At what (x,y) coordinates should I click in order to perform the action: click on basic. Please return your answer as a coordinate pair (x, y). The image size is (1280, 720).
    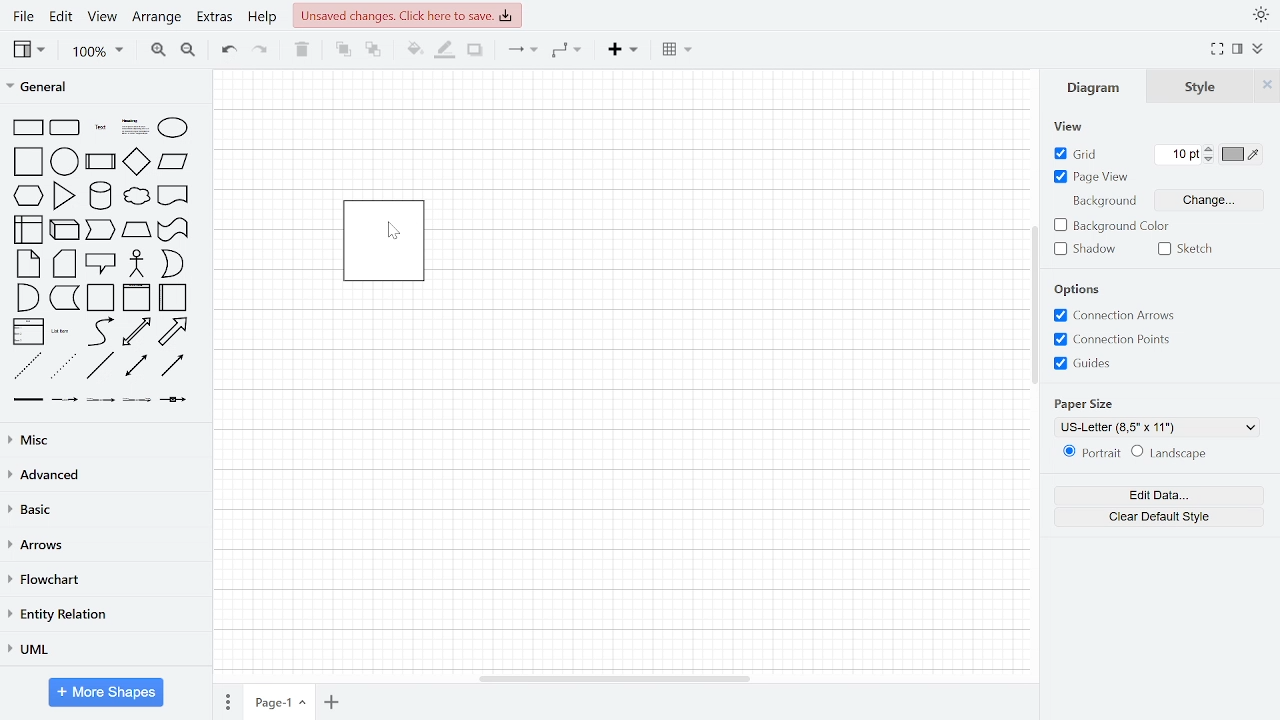
    Looking at the image, I should click on (103, 509).